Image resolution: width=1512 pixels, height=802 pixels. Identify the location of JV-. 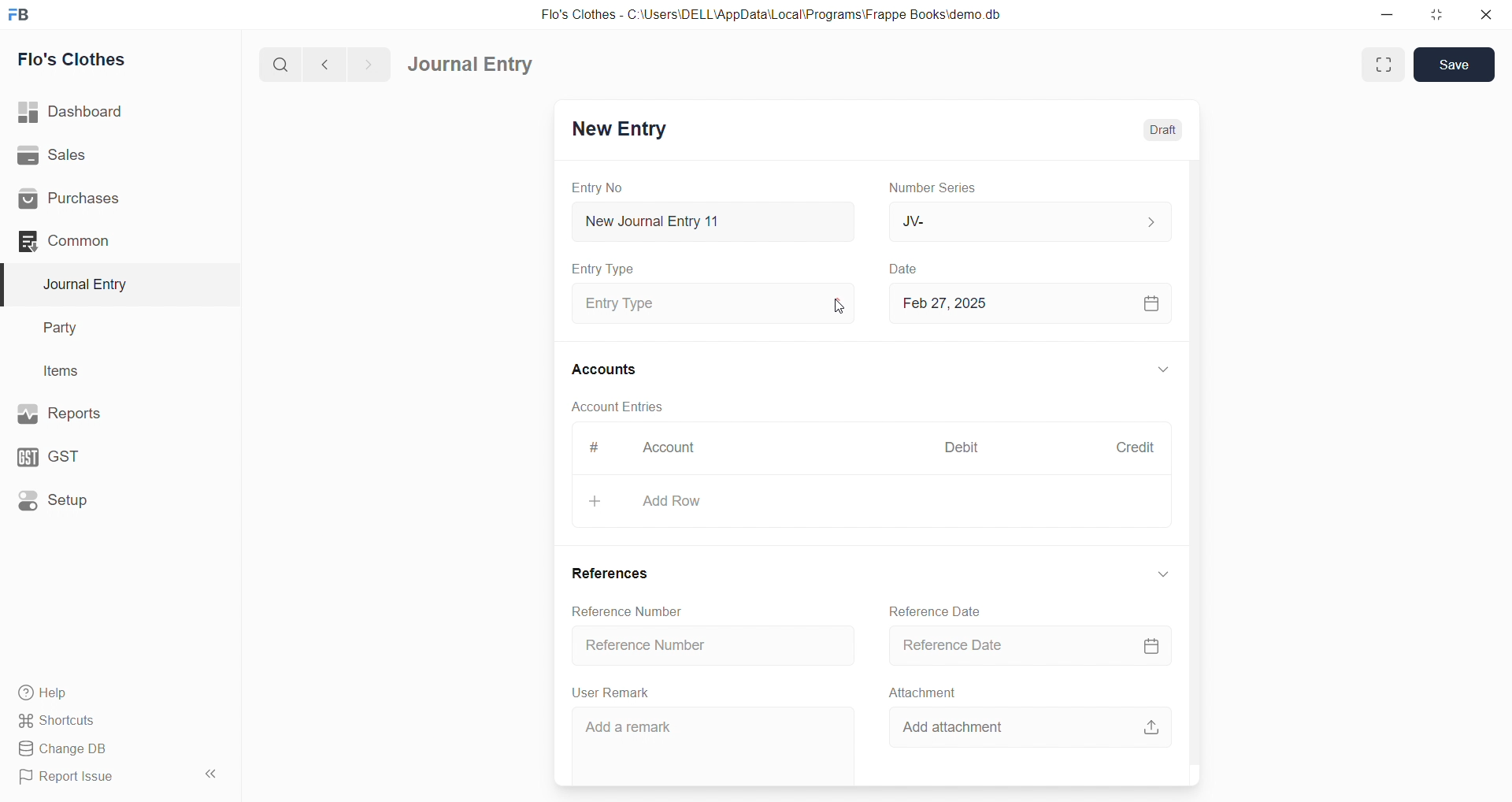
(1028, 219).